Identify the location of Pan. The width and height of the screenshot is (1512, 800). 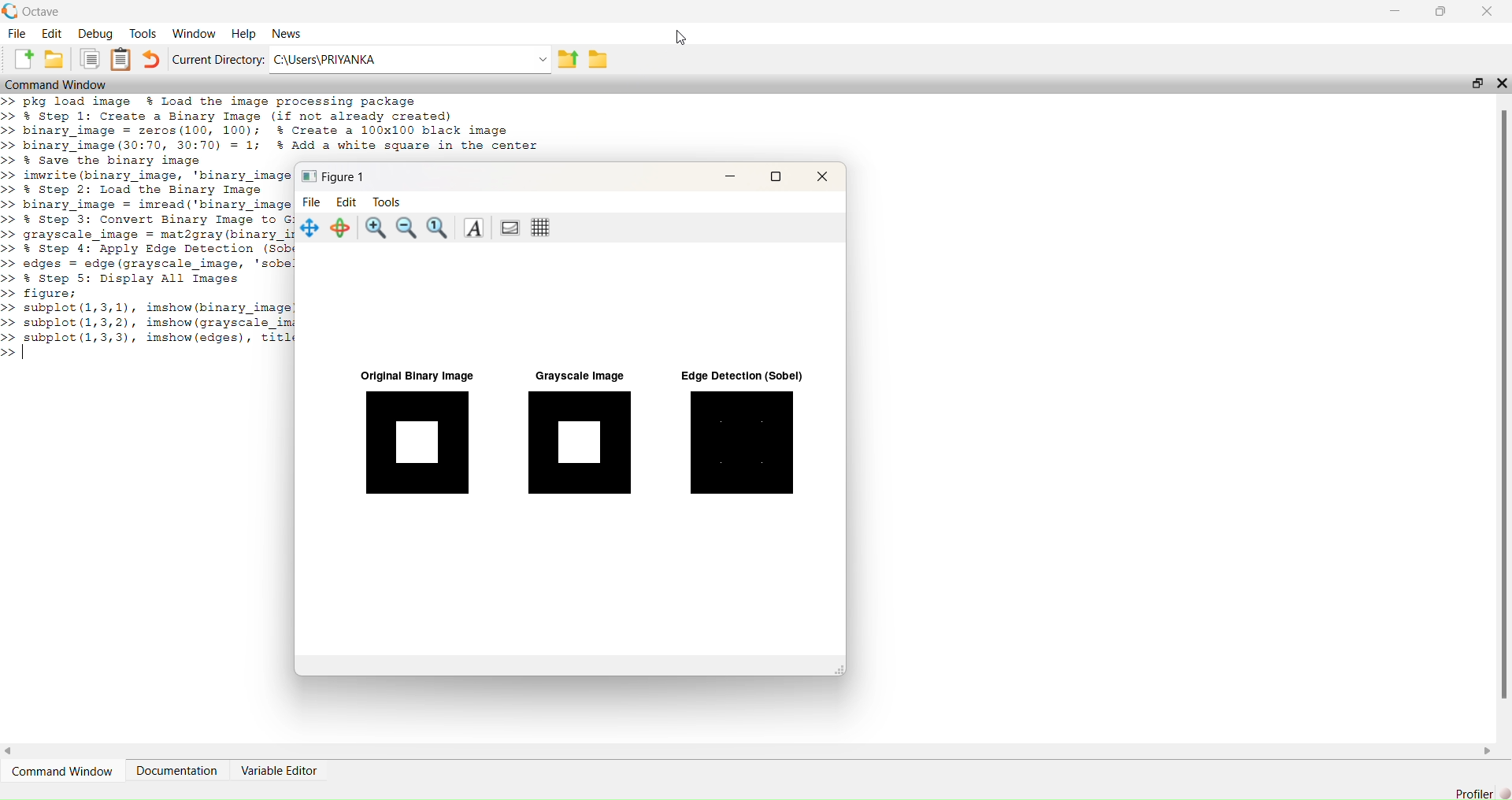
(310, 228).